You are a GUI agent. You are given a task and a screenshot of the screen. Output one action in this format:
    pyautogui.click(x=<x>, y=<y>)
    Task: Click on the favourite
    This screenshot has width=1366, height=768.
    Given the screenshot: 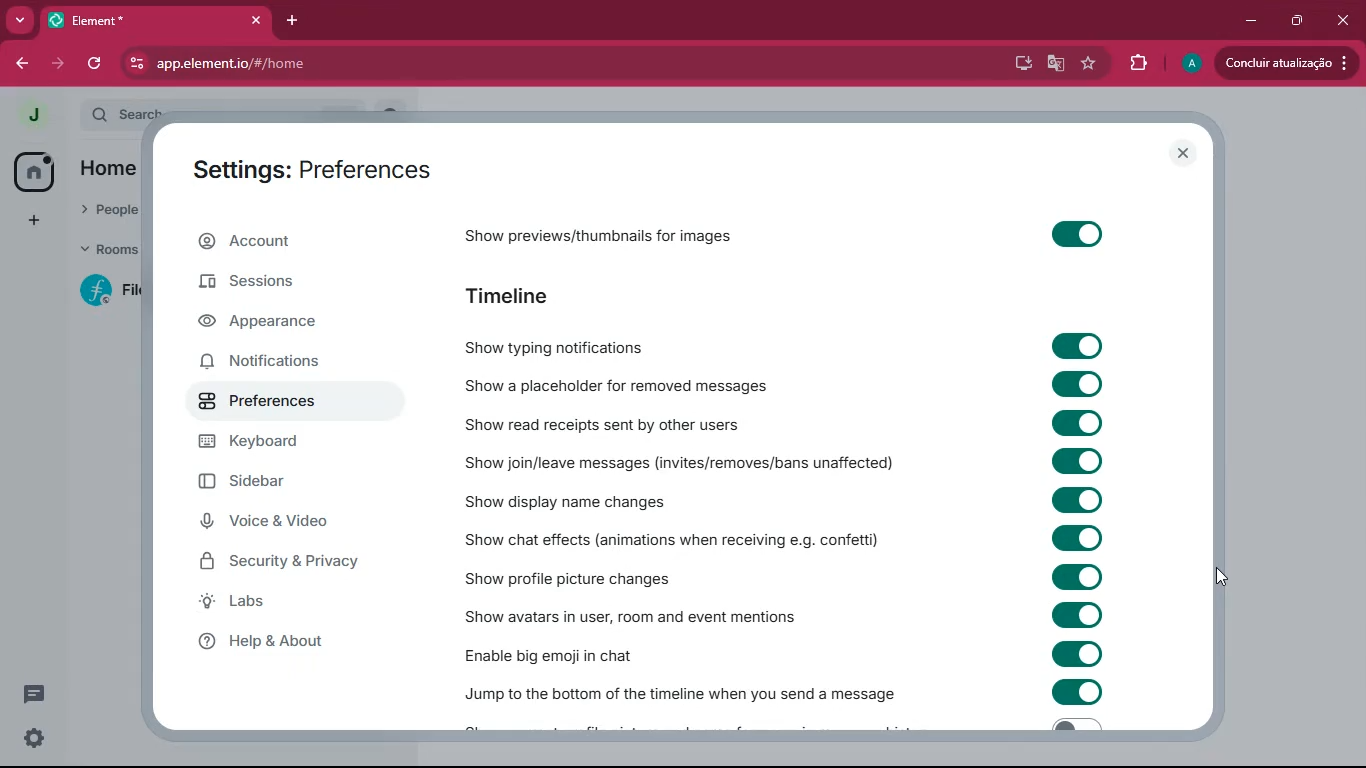 What is the action you would take?
    pyautogui.click(x=1091, y=64)
    